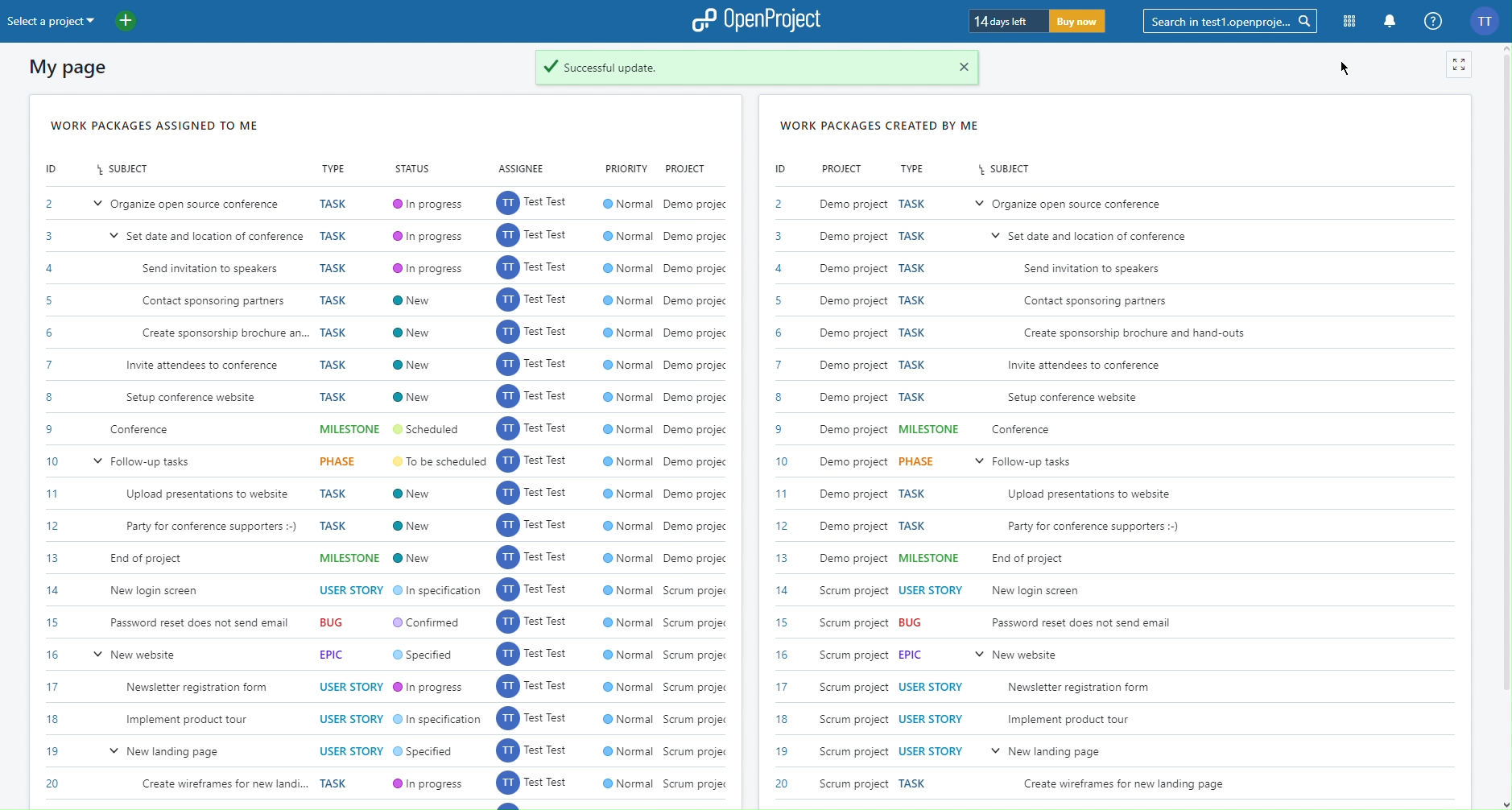 Image resolution: width=1512 pixels, height=810 pixels. What do you see at coordinates (780, 498) in the screenshot?
I see `Task IDs` at bounding box center [780, 498].